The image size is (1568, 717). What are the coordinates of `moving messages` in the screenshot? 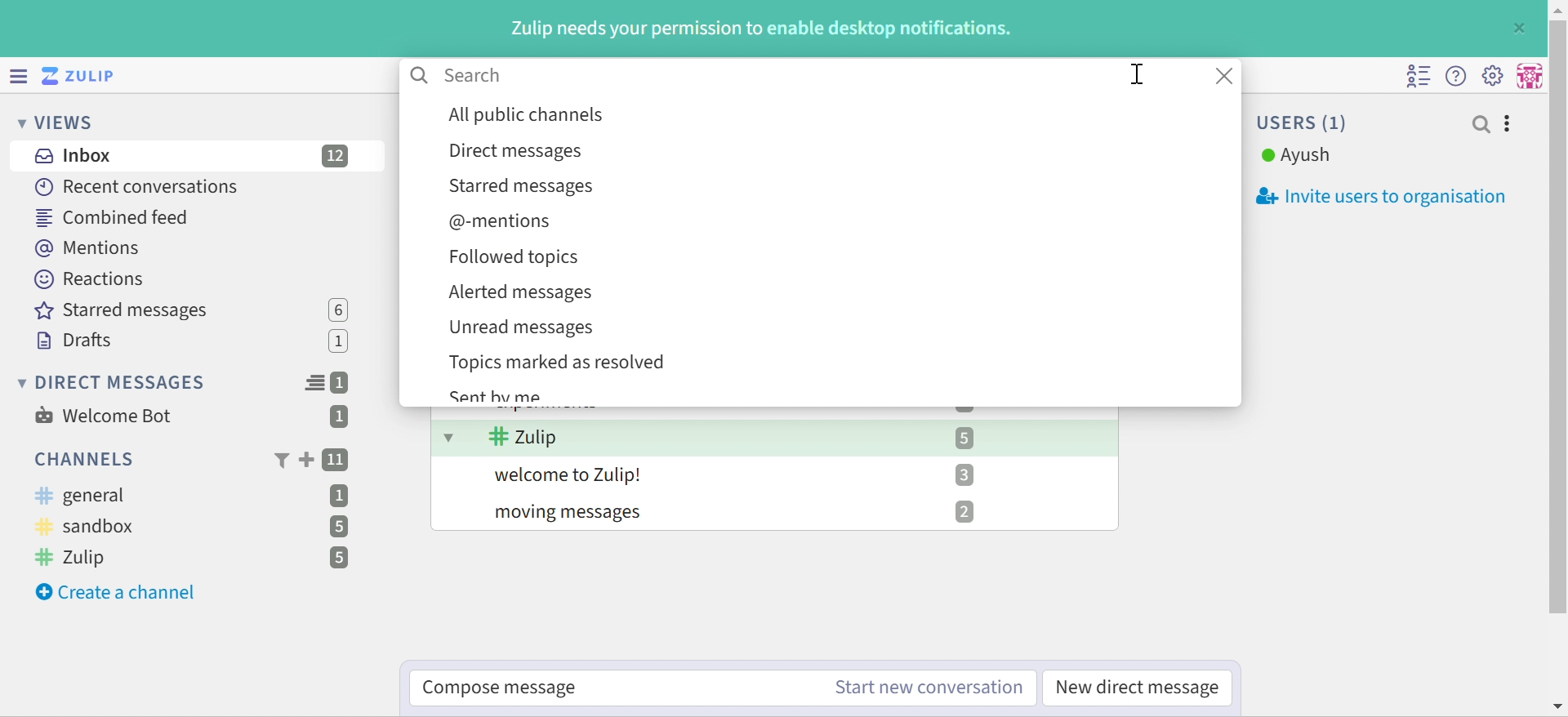 It's located at (572, 514).